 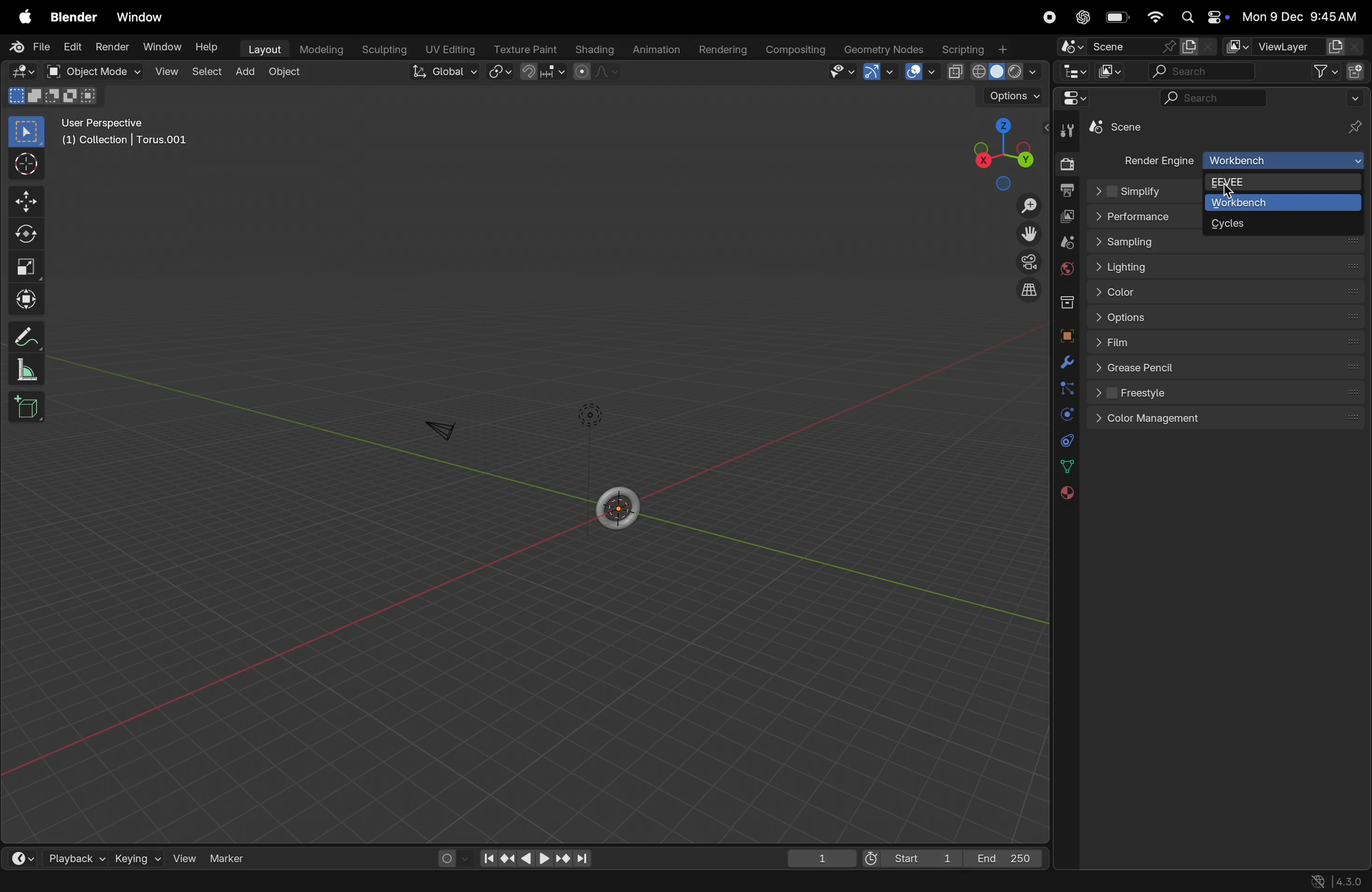 I want to click on transform pviot, so click(x=496, y=75).